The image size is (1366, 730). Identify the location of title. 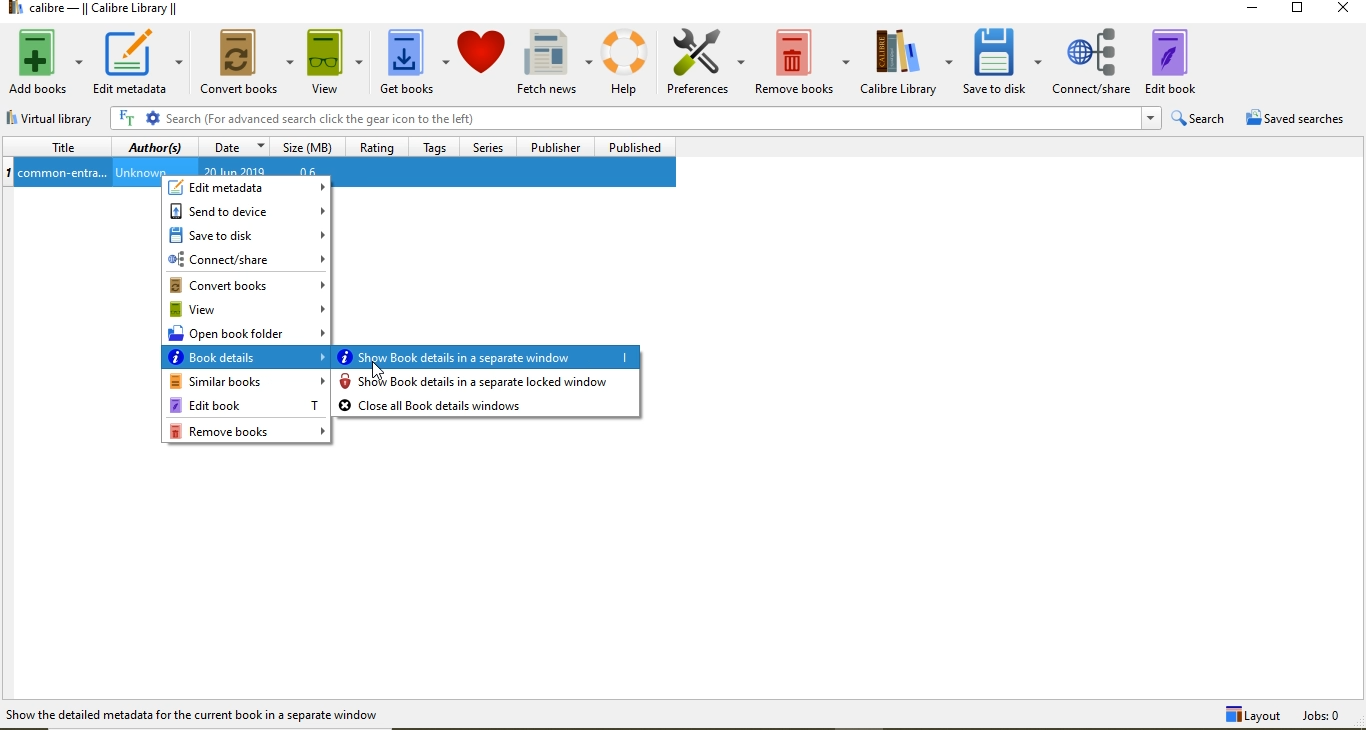
(58, 147).